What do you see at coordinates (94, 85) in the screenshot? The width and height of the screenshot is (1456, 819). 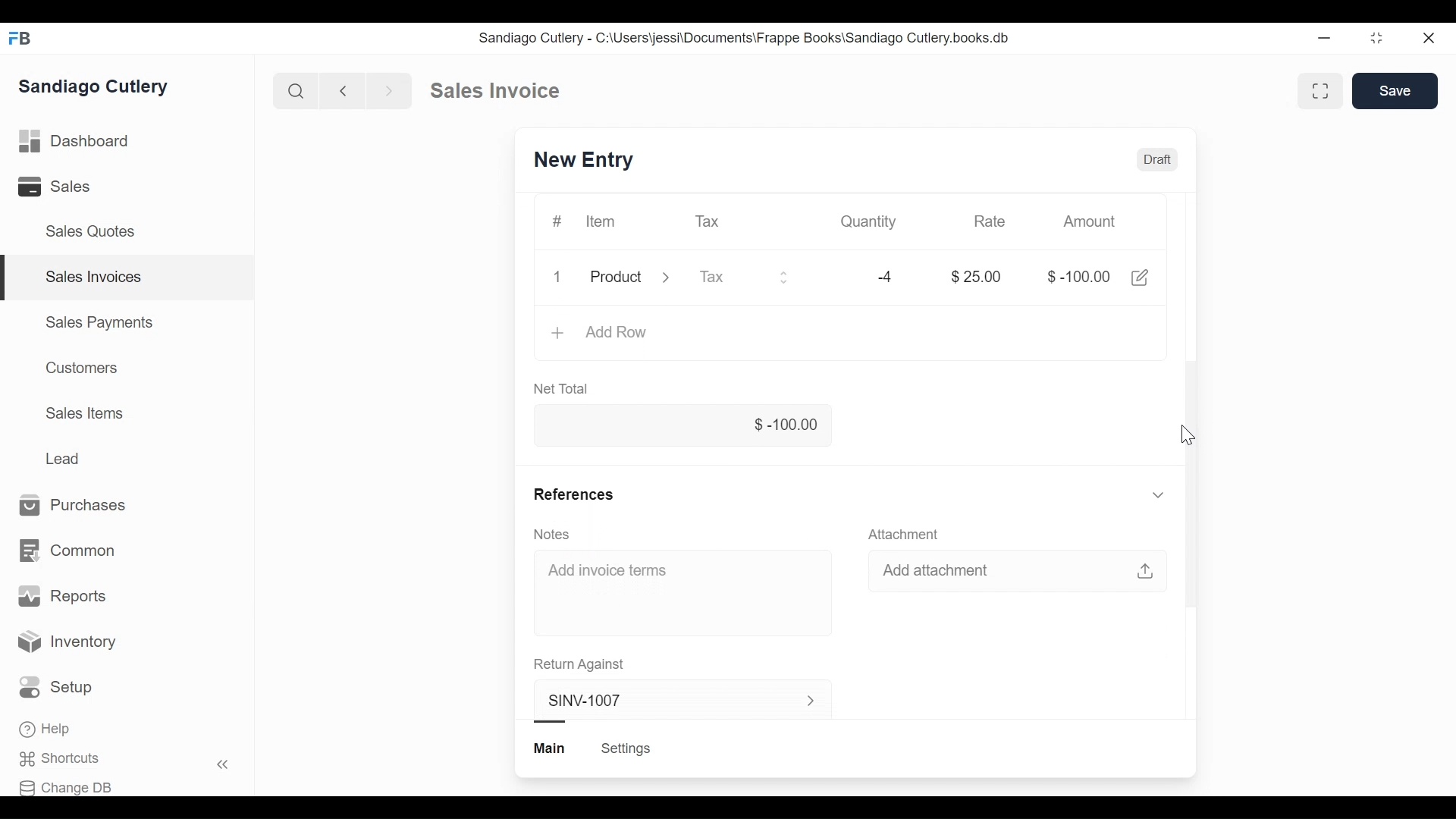 I see `Sandiago Cutlery` at bounding box center [94, 85].